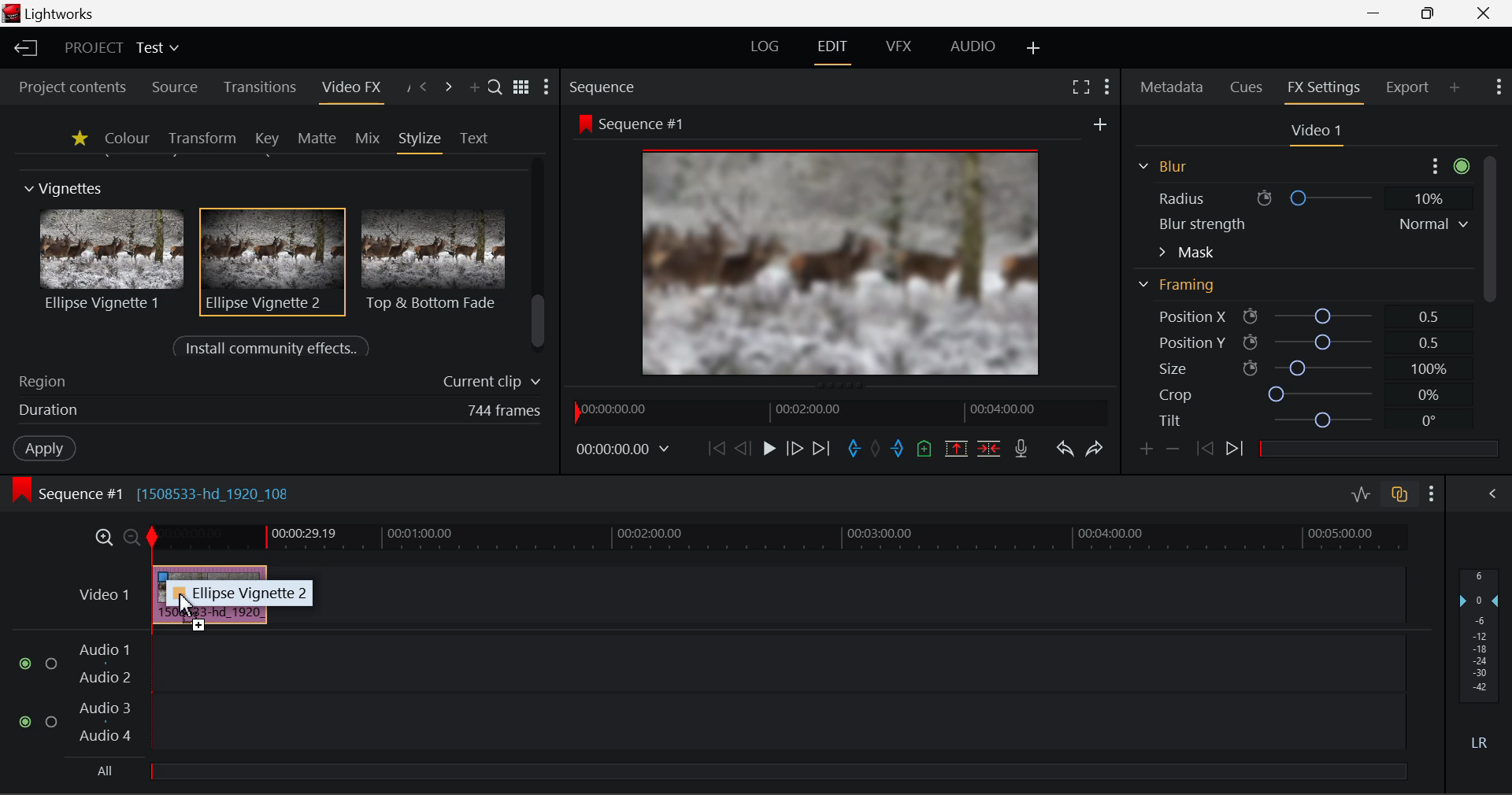 This screenshot has height=795, width=1512. I want to click on Audio Input Field, so click(696, 708).